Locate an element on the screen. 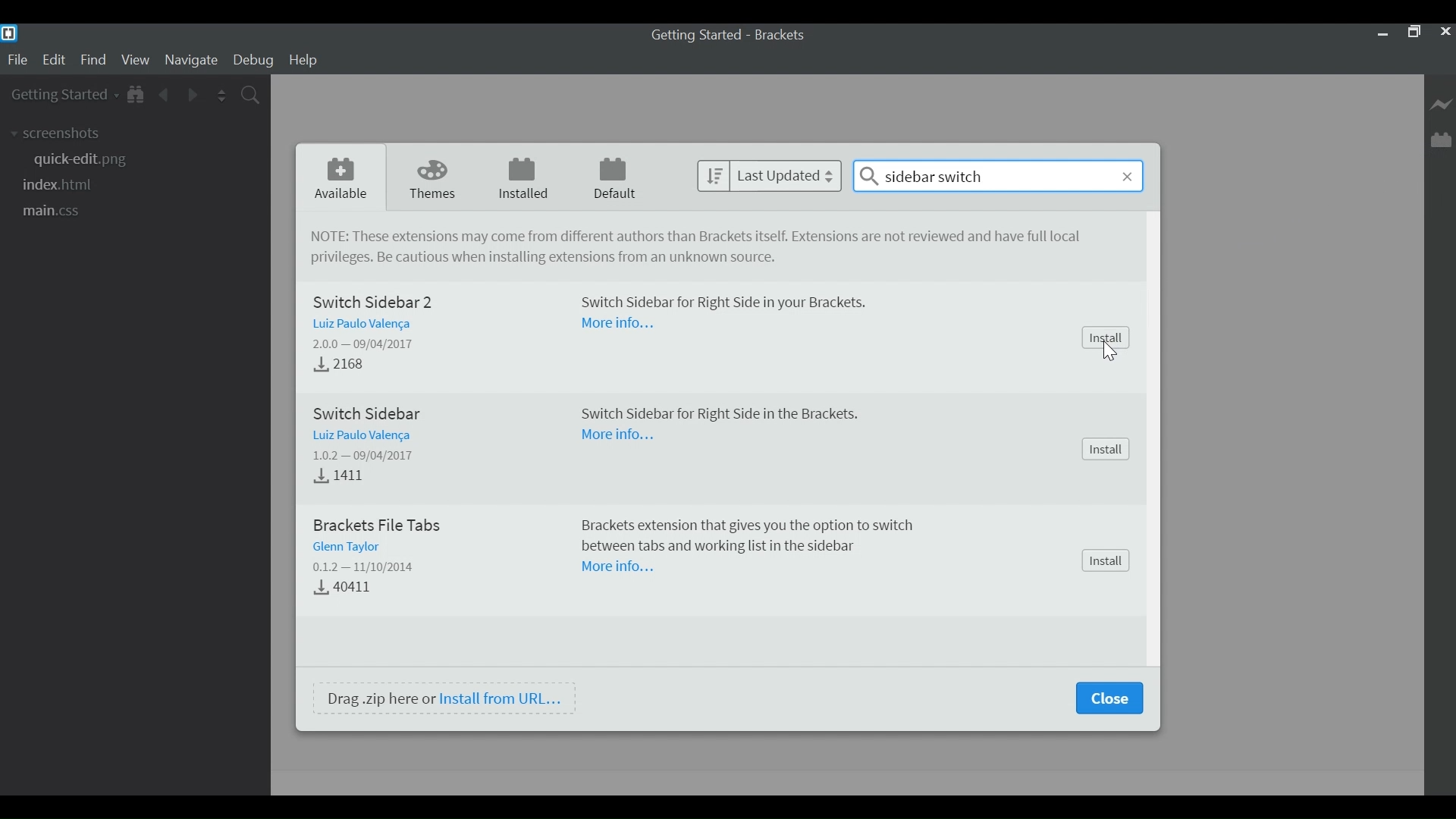 This screenshot has height=819, width=1456. Find is located at coordinates (93, 61).